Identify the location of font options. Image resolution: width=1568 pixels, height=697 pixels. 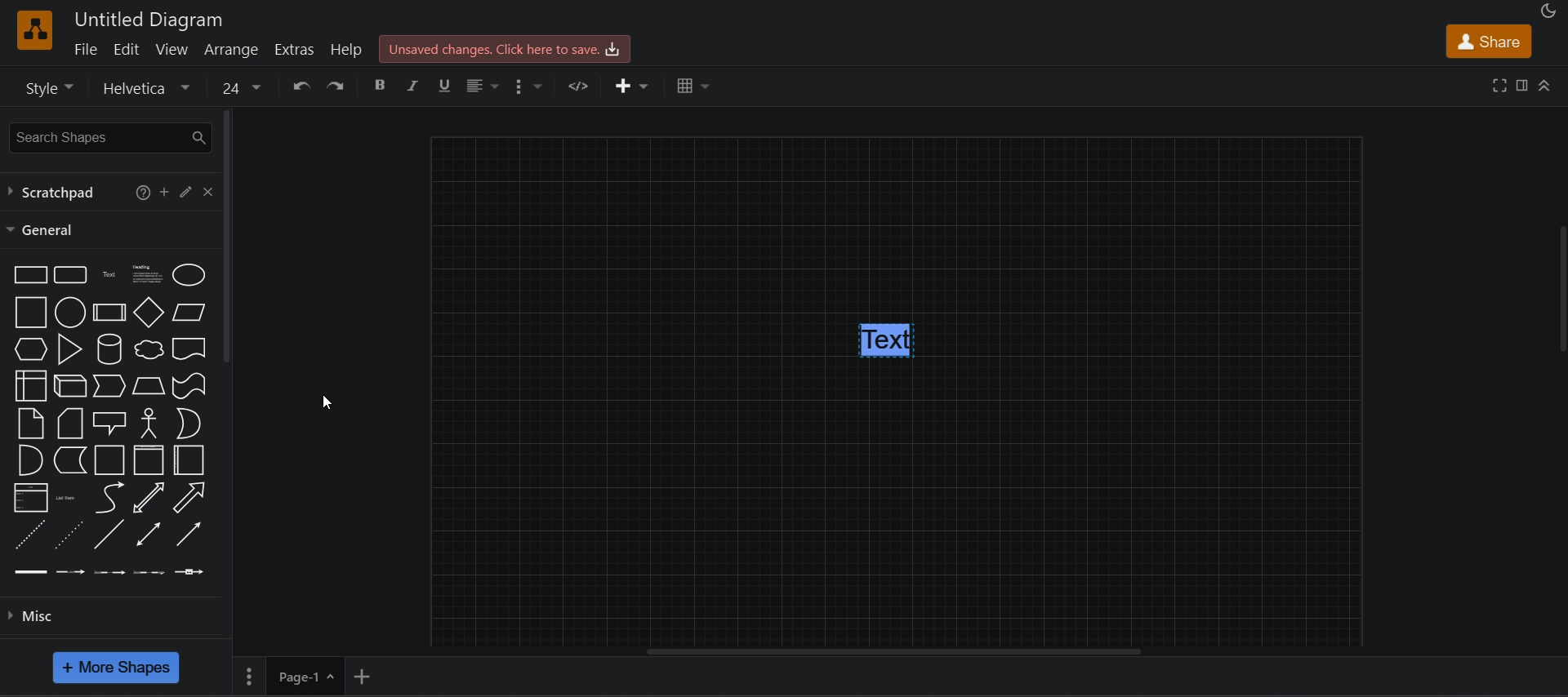
(150, 87).